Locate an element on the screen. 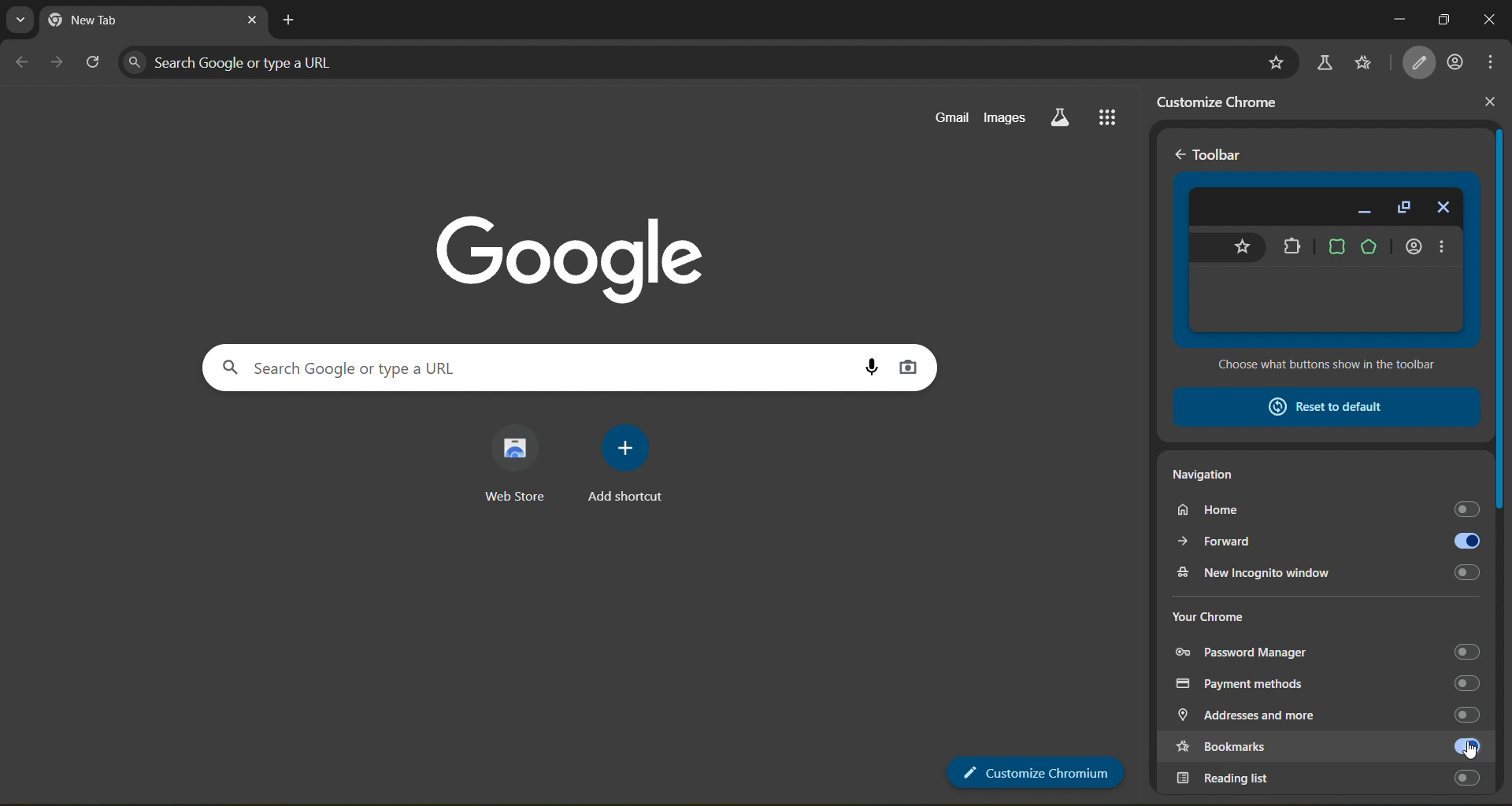  close is located at coordinates (1490, 102).